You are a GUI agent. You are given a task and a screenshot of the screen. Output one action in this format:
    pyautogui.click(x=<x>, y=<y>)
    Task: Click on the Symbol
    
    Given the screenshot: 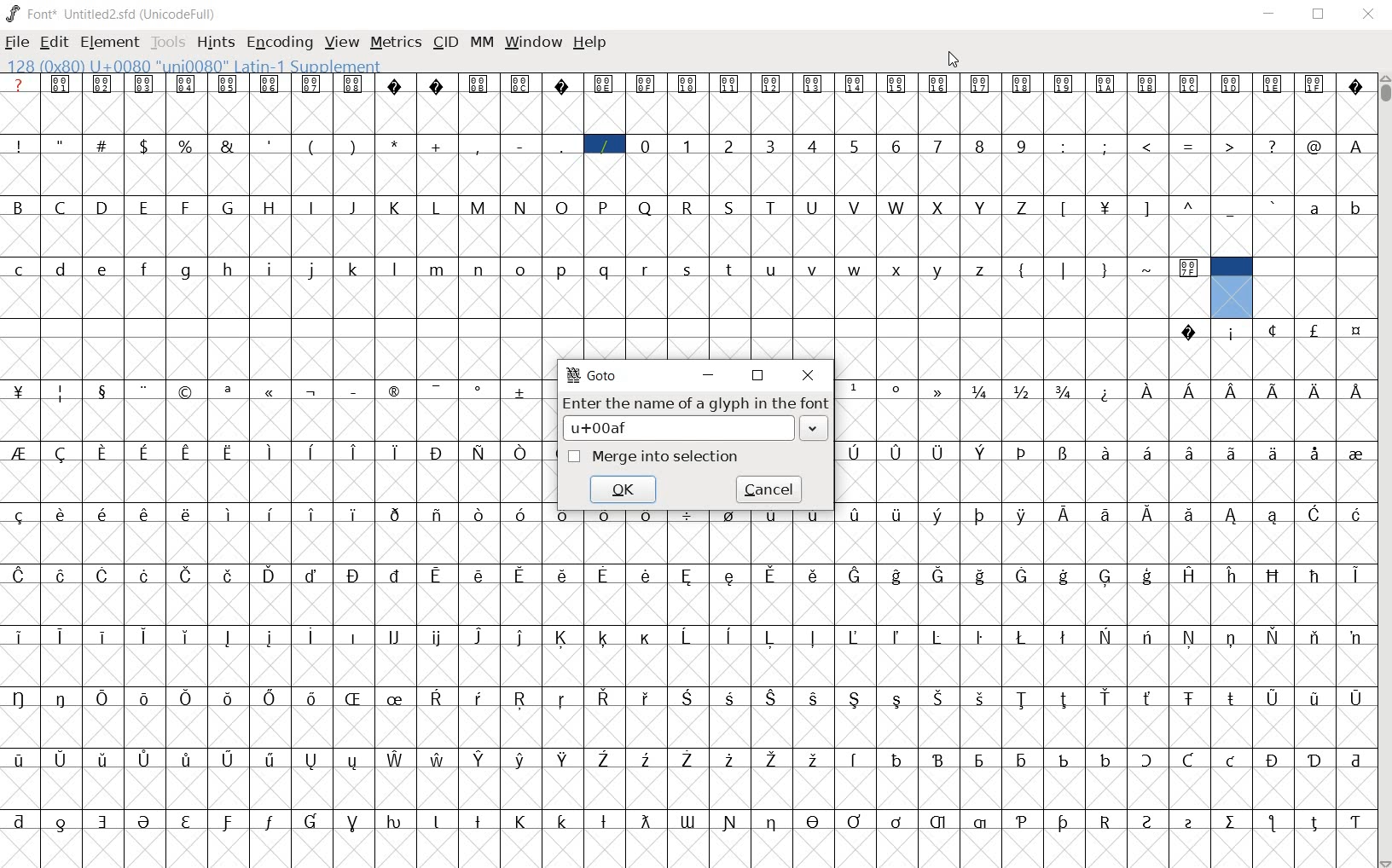 What is the action you would take?
    pyautogui.click(x=351, y=636)
    